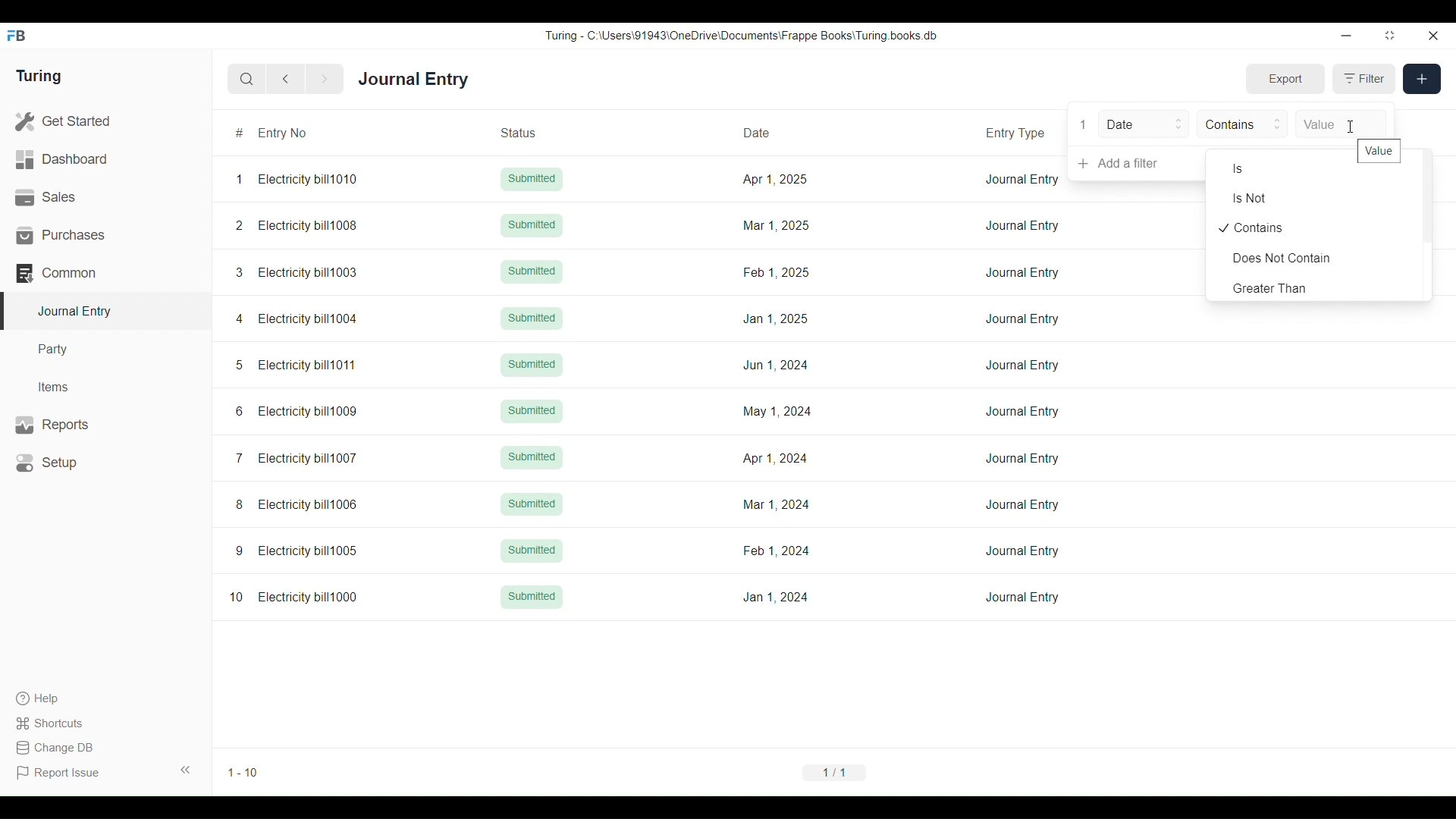  What do you see at coordinates (532, 179) in the screenshot?
I see `Submitted` at bounding box center [532, 179].